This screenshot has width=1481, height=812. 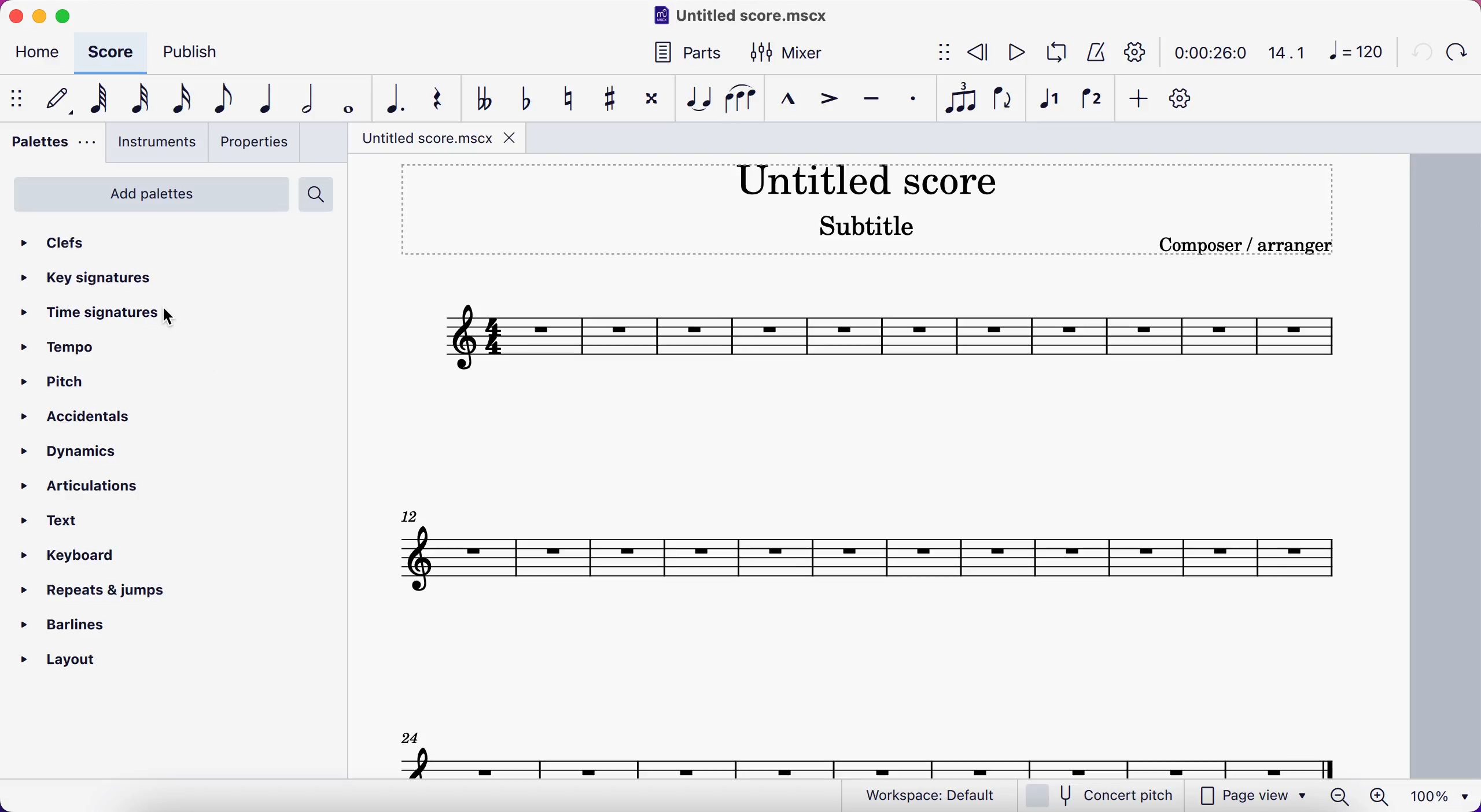 I want to click on show/hide, so click(x=938, y=54).